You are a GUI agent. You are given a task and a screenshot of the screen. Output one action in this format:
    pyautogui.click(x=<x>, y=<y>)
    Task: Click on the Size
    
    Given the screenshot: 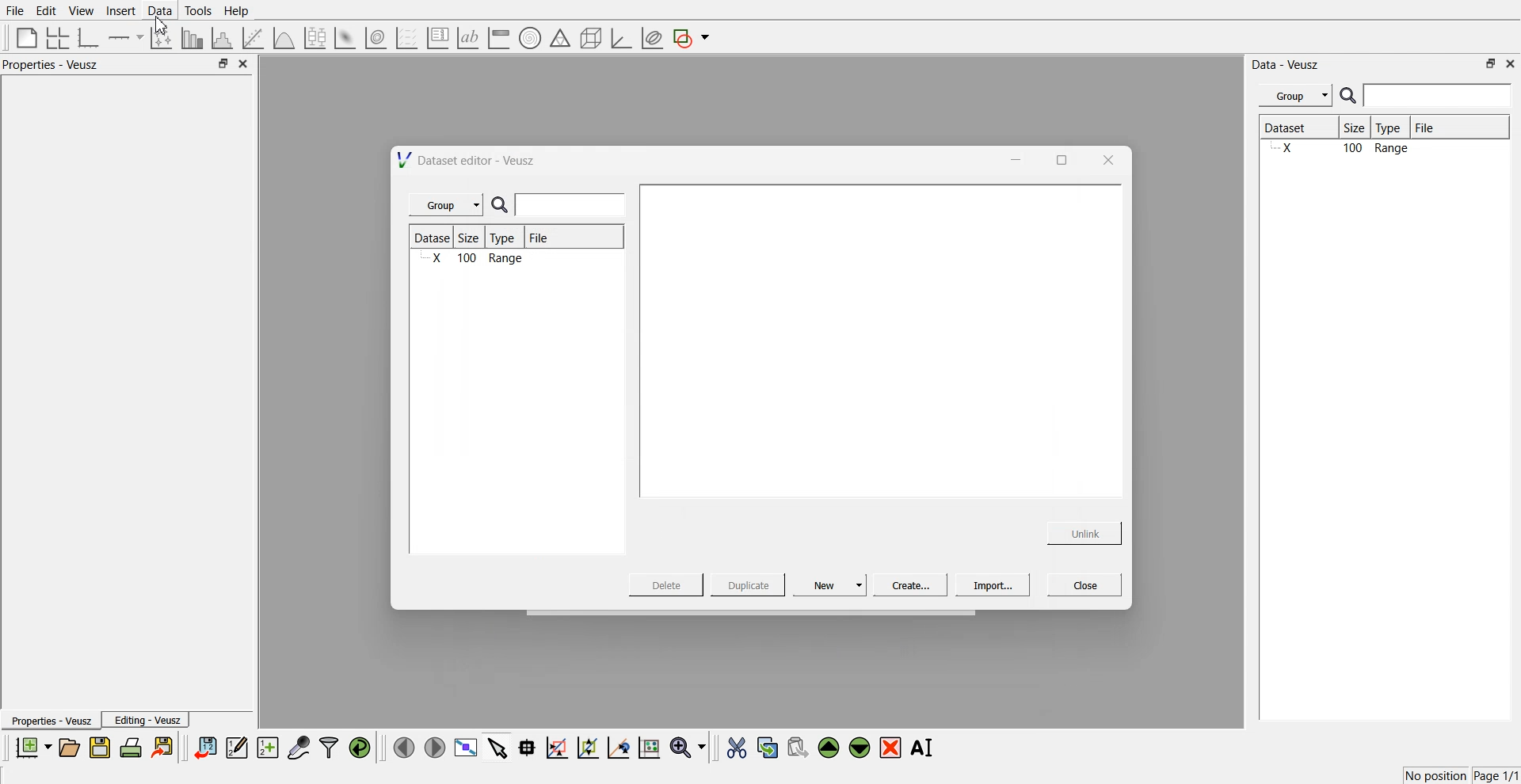 What is the action you would take?
    pyautogui.click(x=474, y=238)
    